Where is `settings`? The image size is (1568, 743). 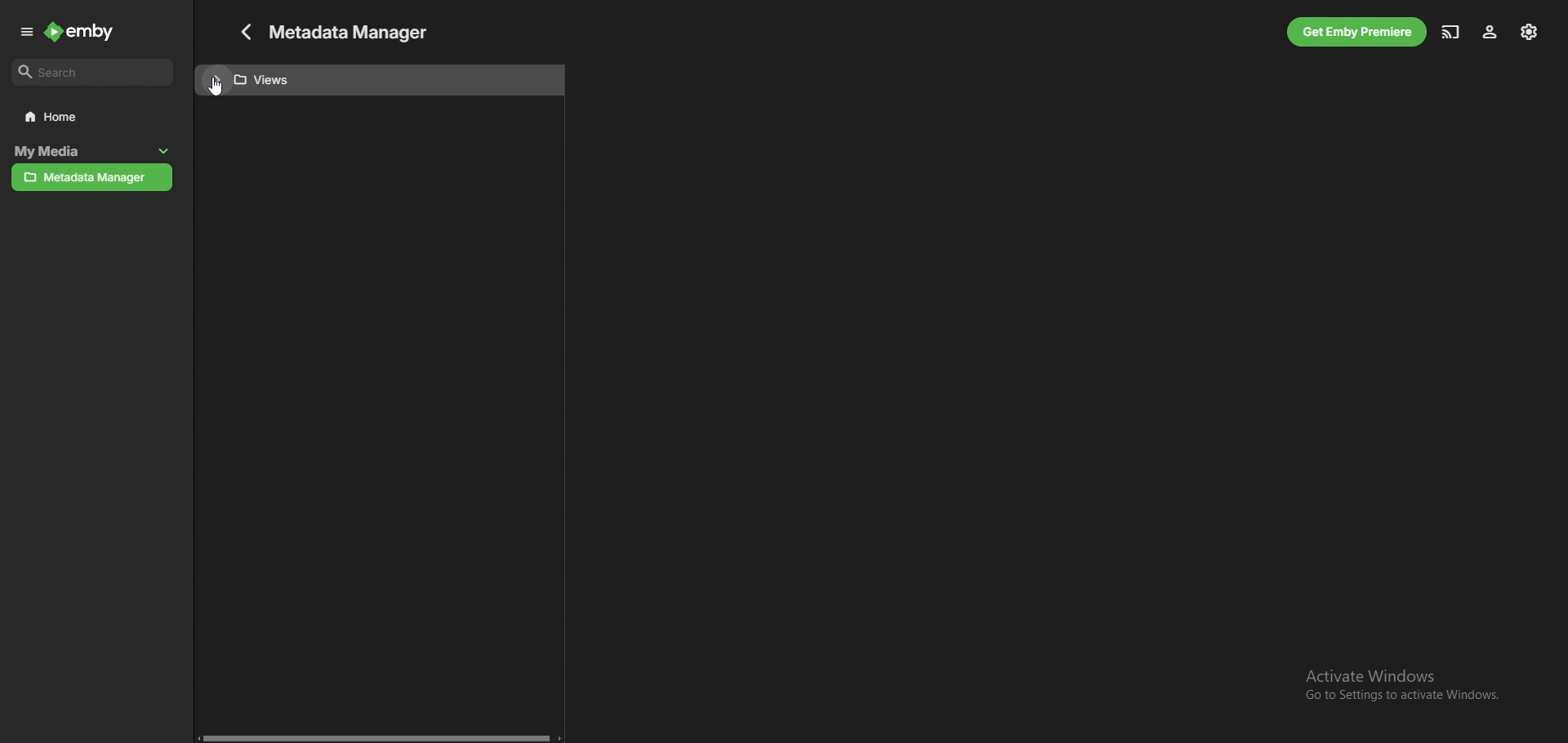
settings is located at coordinates (1530, 32).